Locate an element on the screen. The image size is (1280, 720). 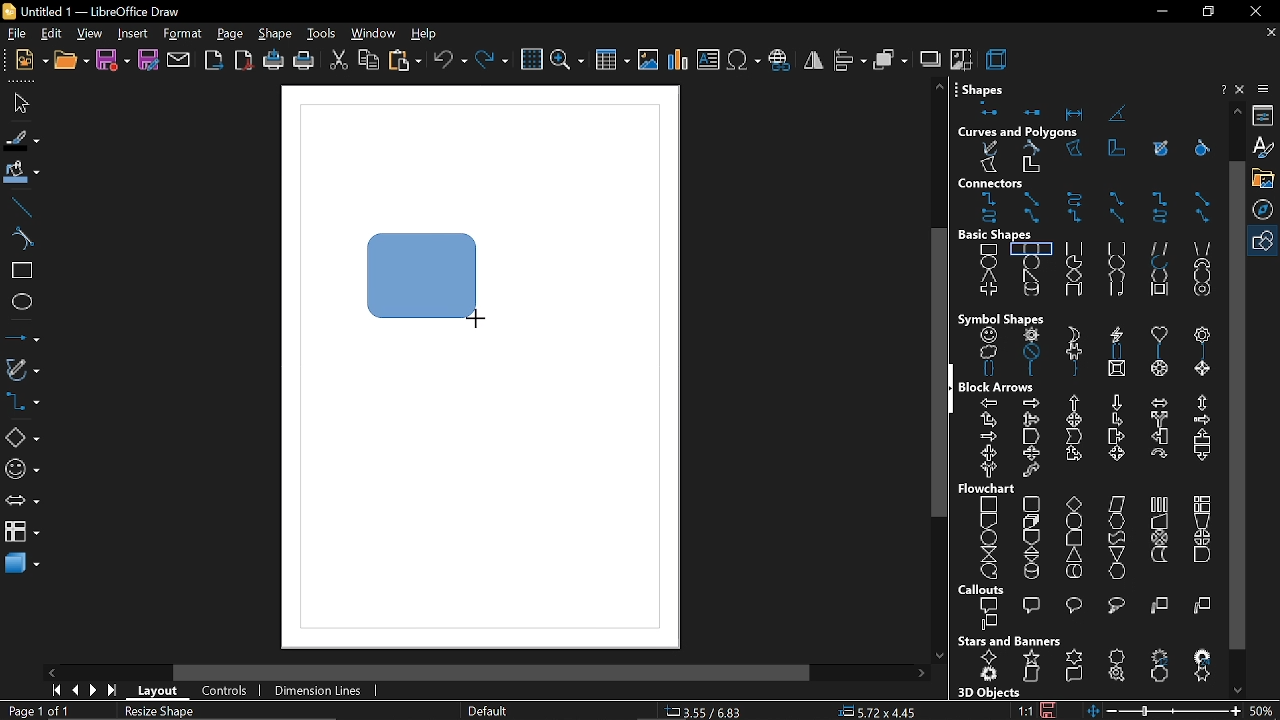
line is located at coordinates (22, 207).